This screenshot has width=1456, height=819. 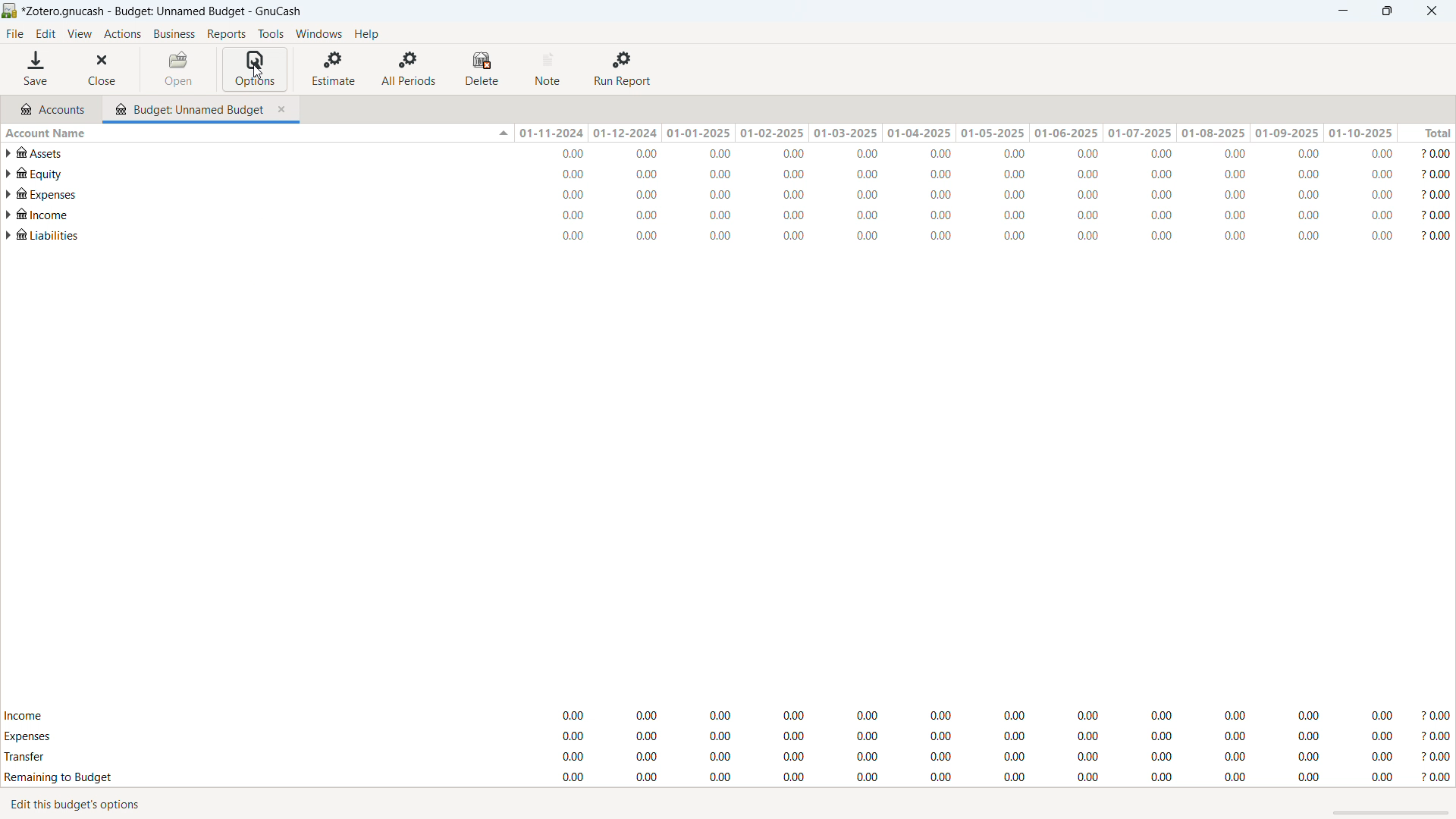 I want to click on remaining to budget total, so click(x=728, y=778).